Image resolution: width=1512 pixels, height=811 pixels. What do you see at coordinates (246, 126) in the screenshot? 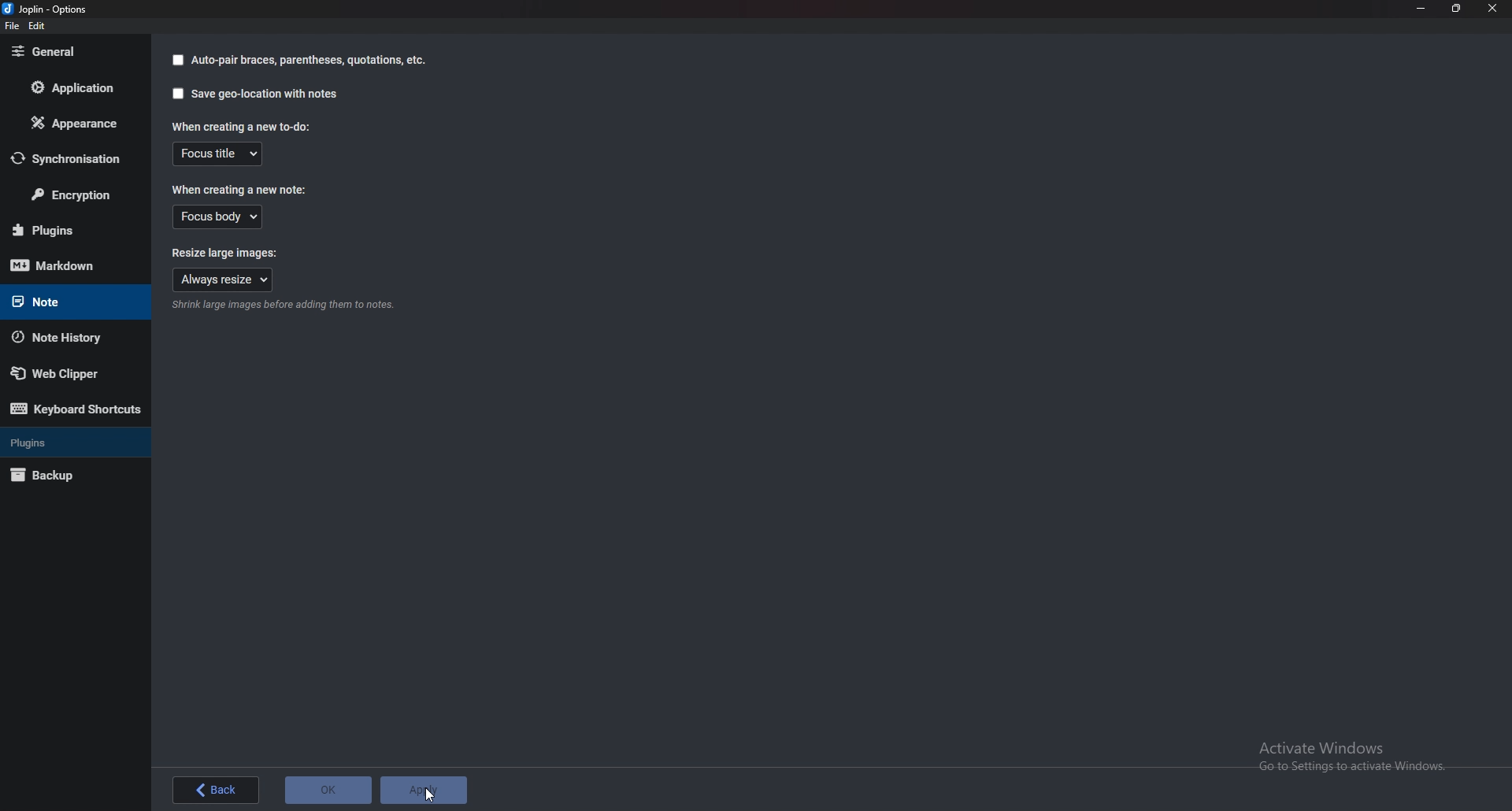
I see `When creating a new to do` at bounding box center [246, 126].